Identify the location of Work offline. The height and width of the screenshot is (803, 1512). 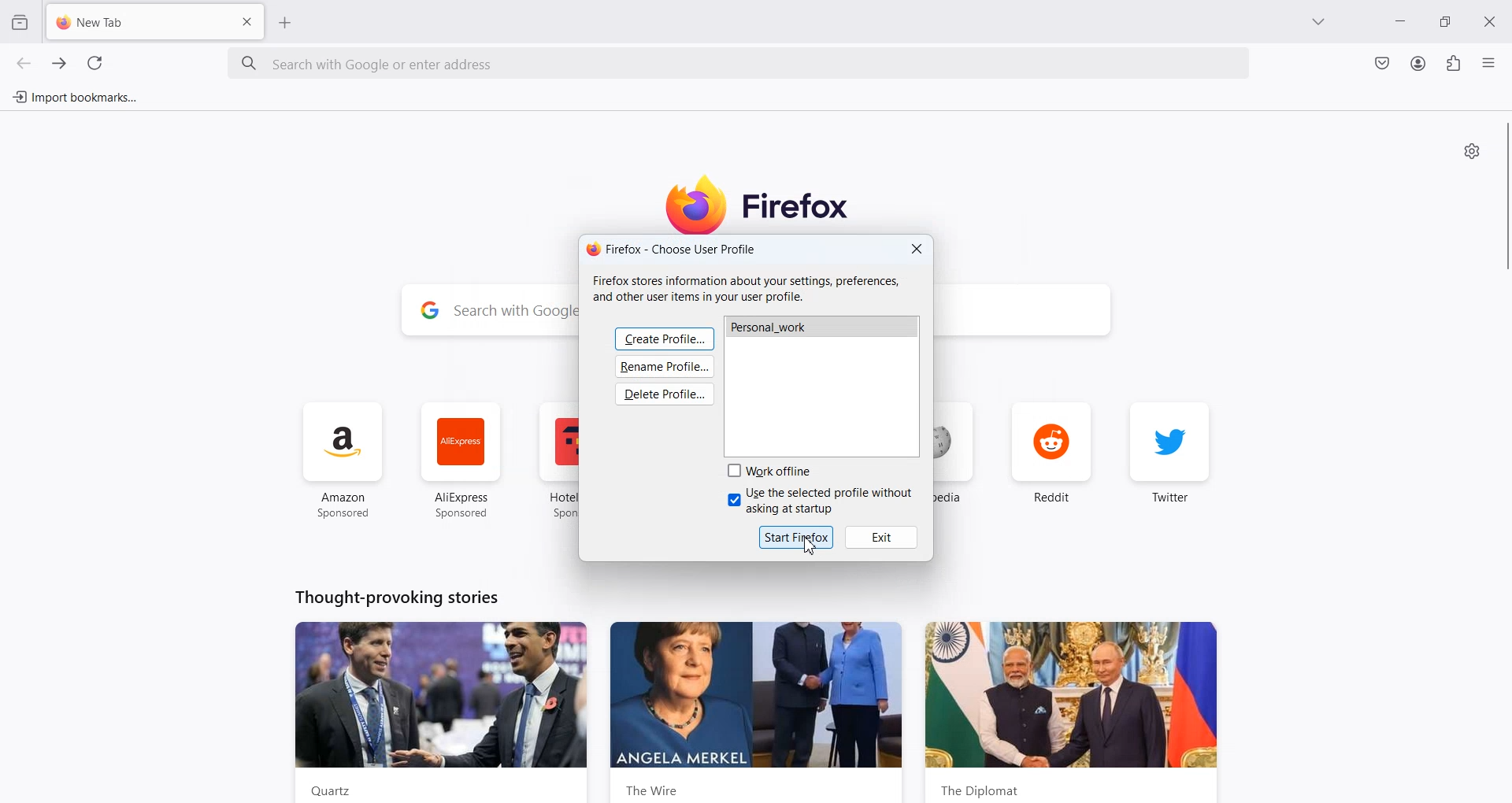
(773, 471).